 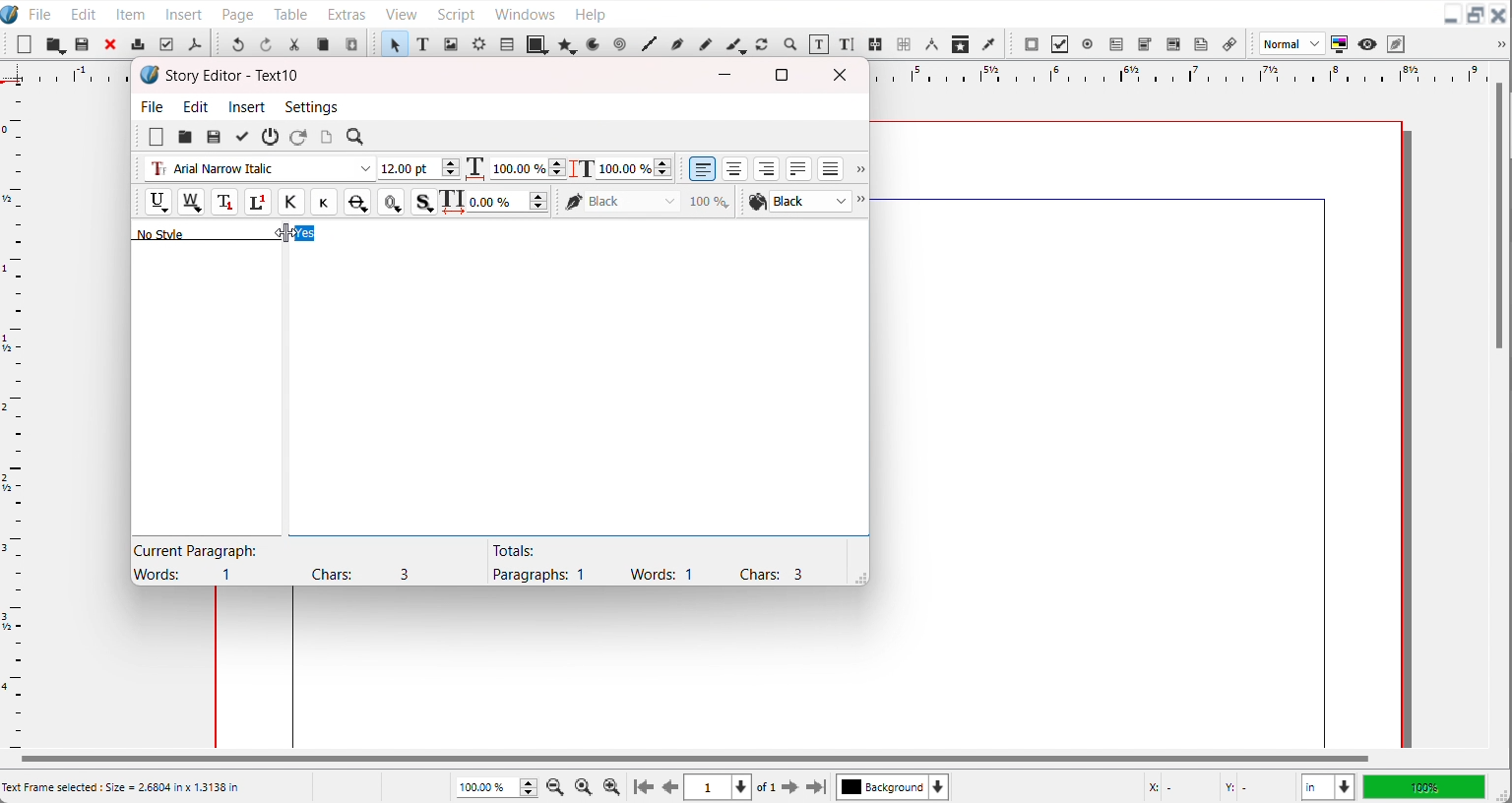 I want to click on Table, so click(x=506, y=43).